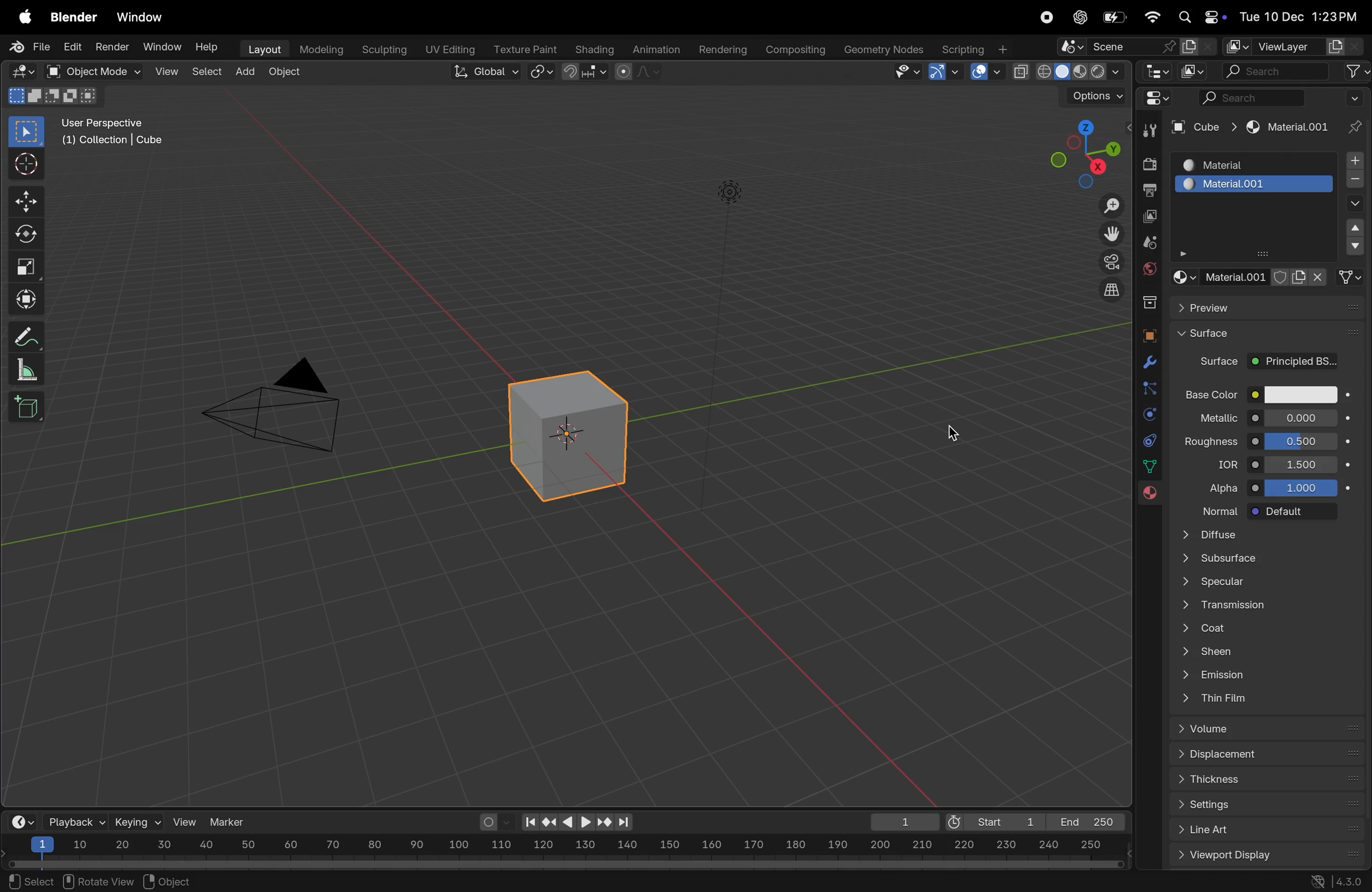  I want to click on alpha, so click(1218, 485).